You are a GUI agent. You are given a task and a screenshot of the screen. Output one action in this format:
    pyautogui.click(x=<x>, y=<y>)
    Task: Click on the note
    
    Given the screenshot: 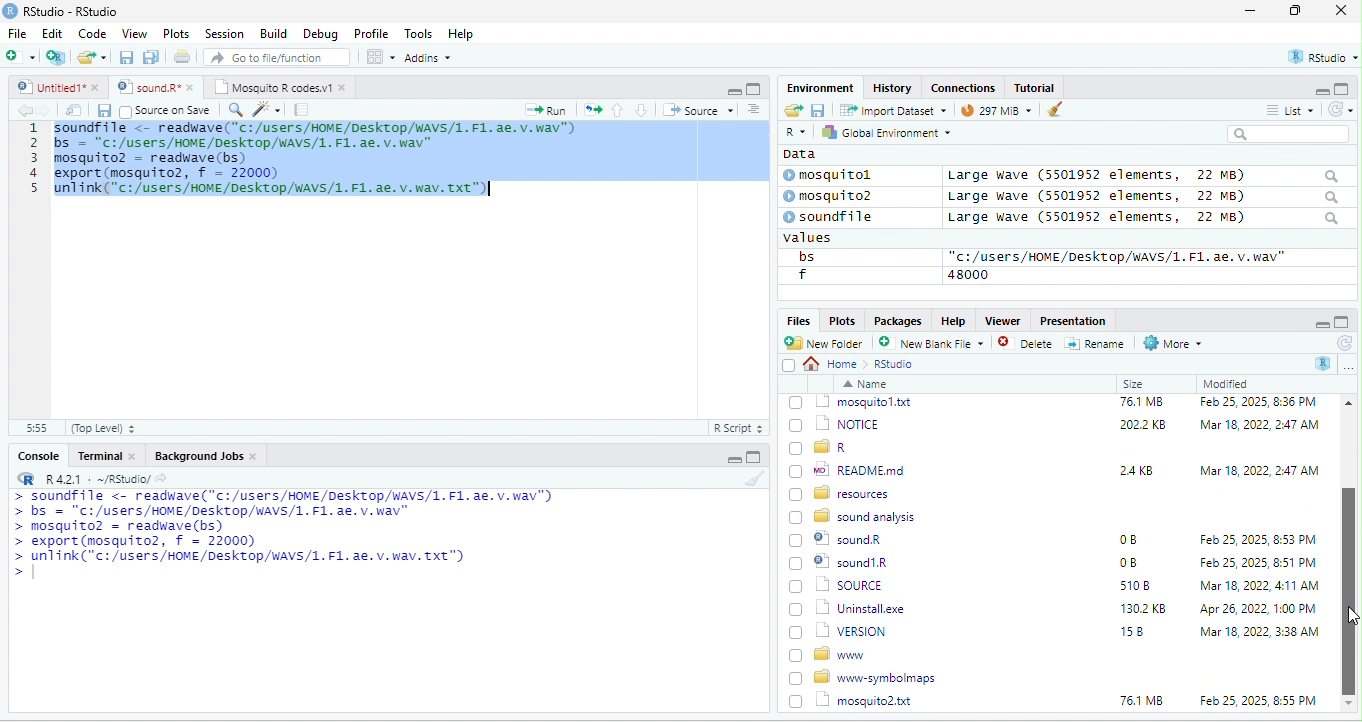 What is the action you would take?
    pyautogui.click(x=302, y=109)
    